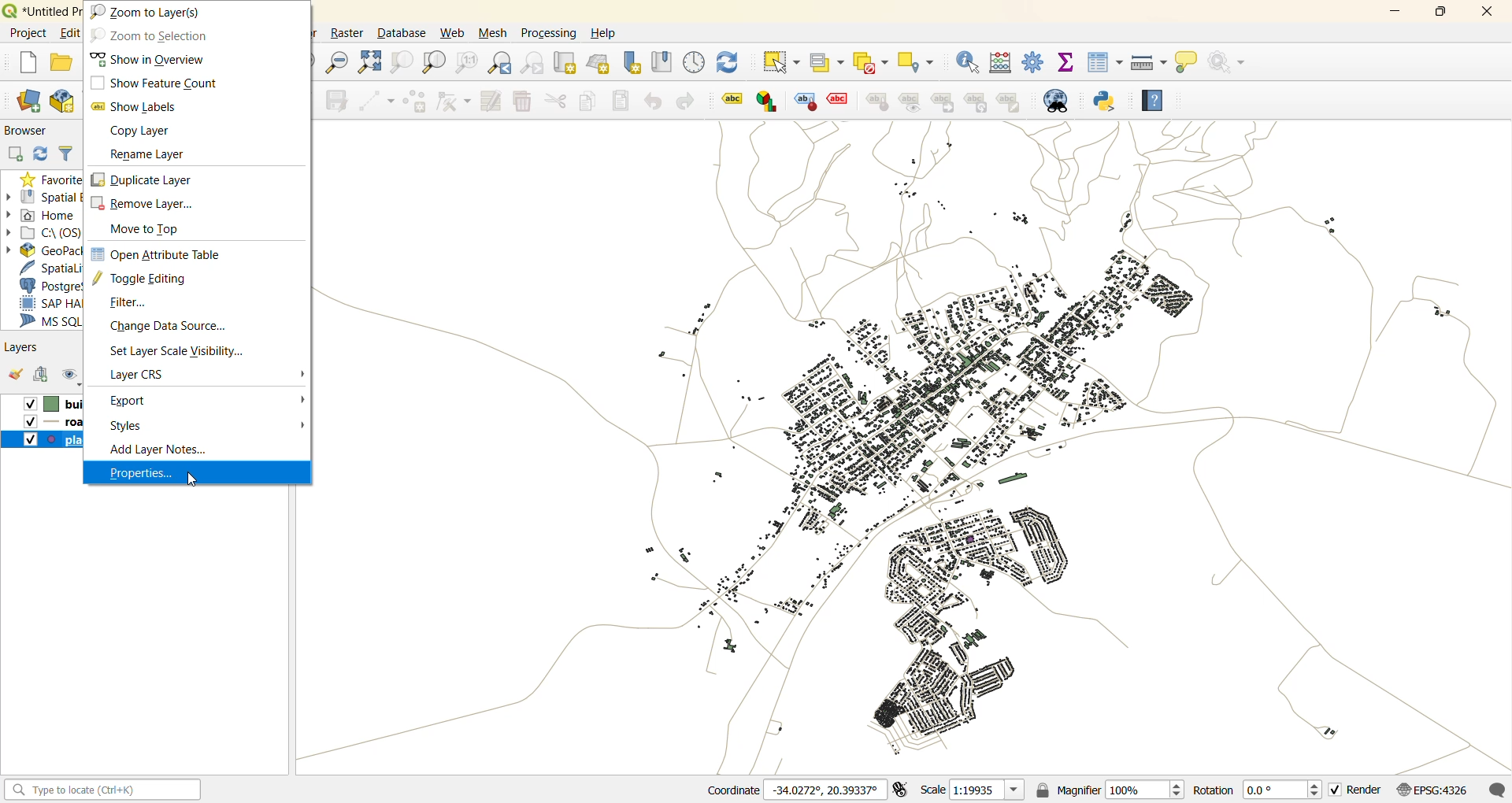 This screenshot has width=1512, height=803. I want to click on zoom to layers, so click(154, 10).